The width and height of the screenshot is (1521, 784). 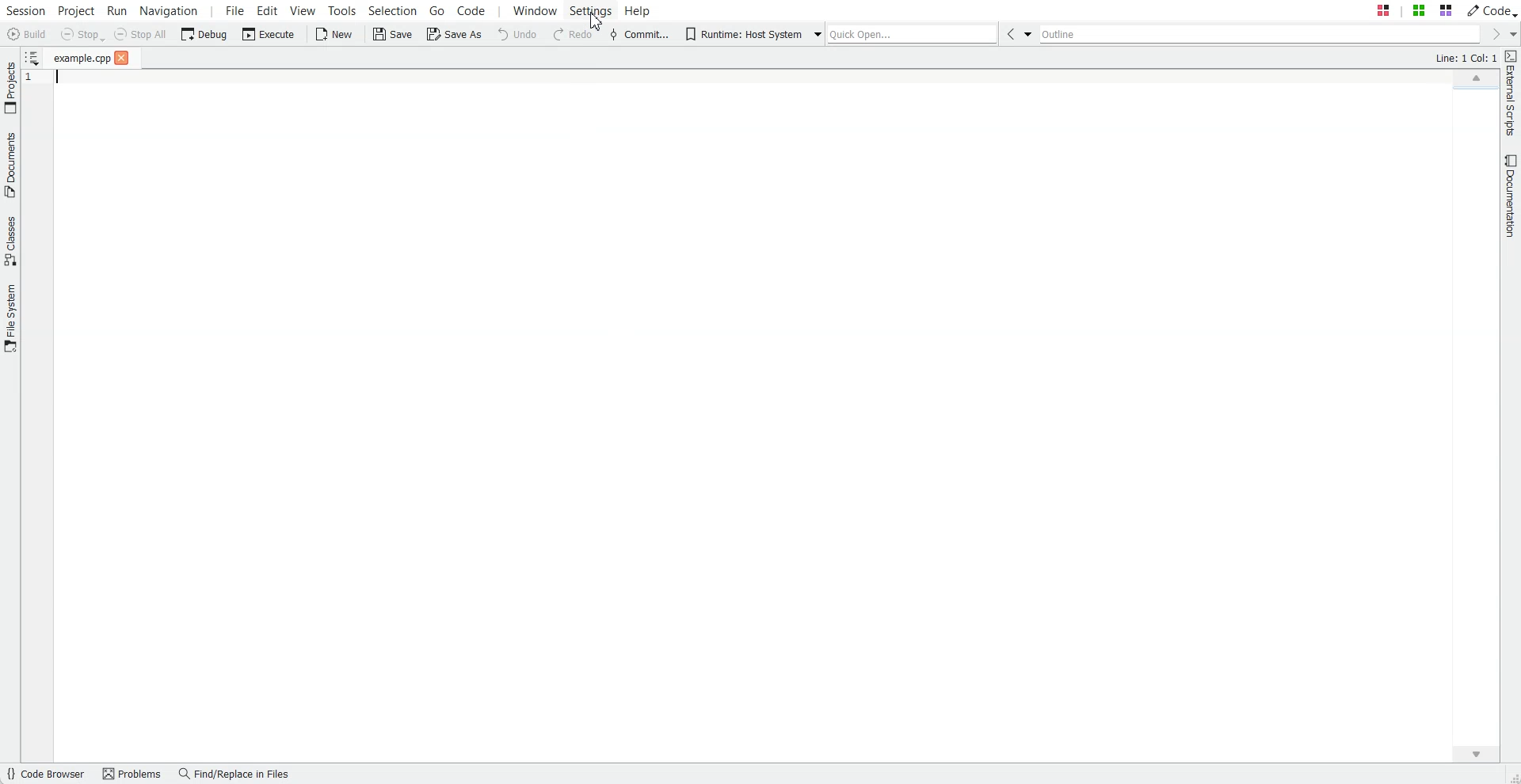 What do you see at coordinates (10, 243) in the screenshot?
I see `Classes` at bounding box center [10, 243].